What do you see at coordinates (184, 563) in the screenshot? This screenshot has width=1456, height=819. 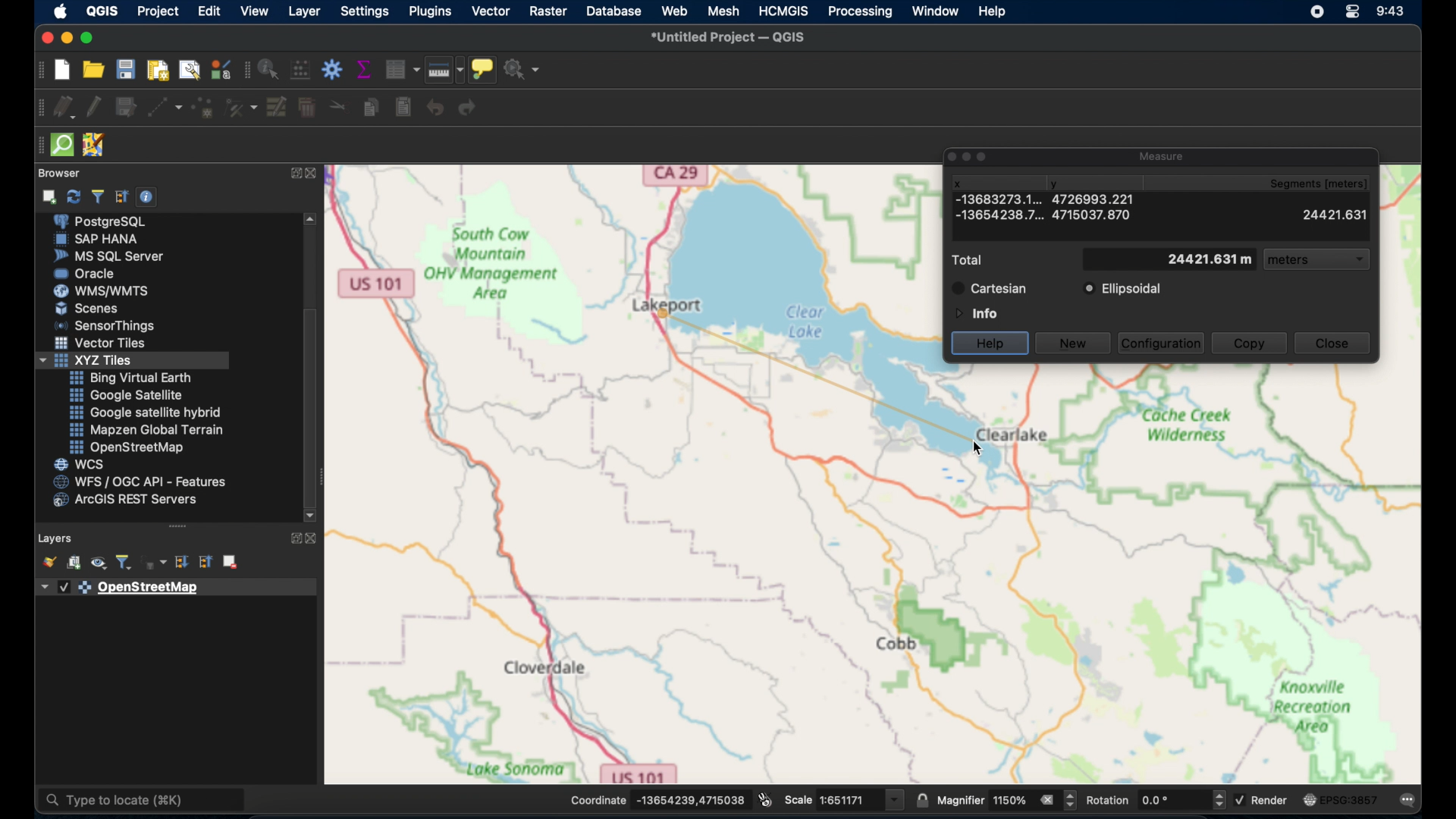 I see `expand all` at bounding box center [184, 563].